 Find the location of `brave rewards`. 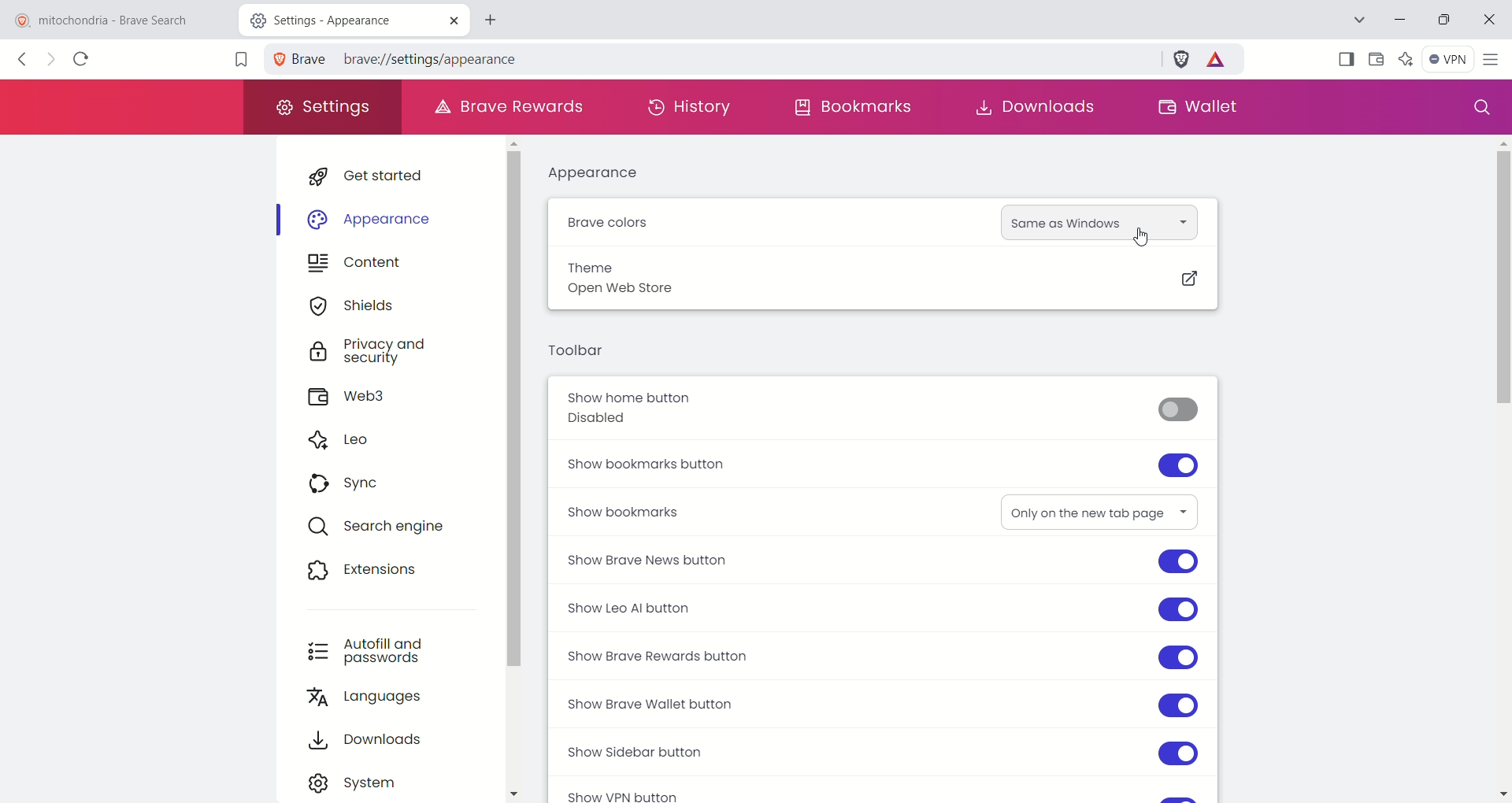

brave rewards is located at coordinates (1220, 62).